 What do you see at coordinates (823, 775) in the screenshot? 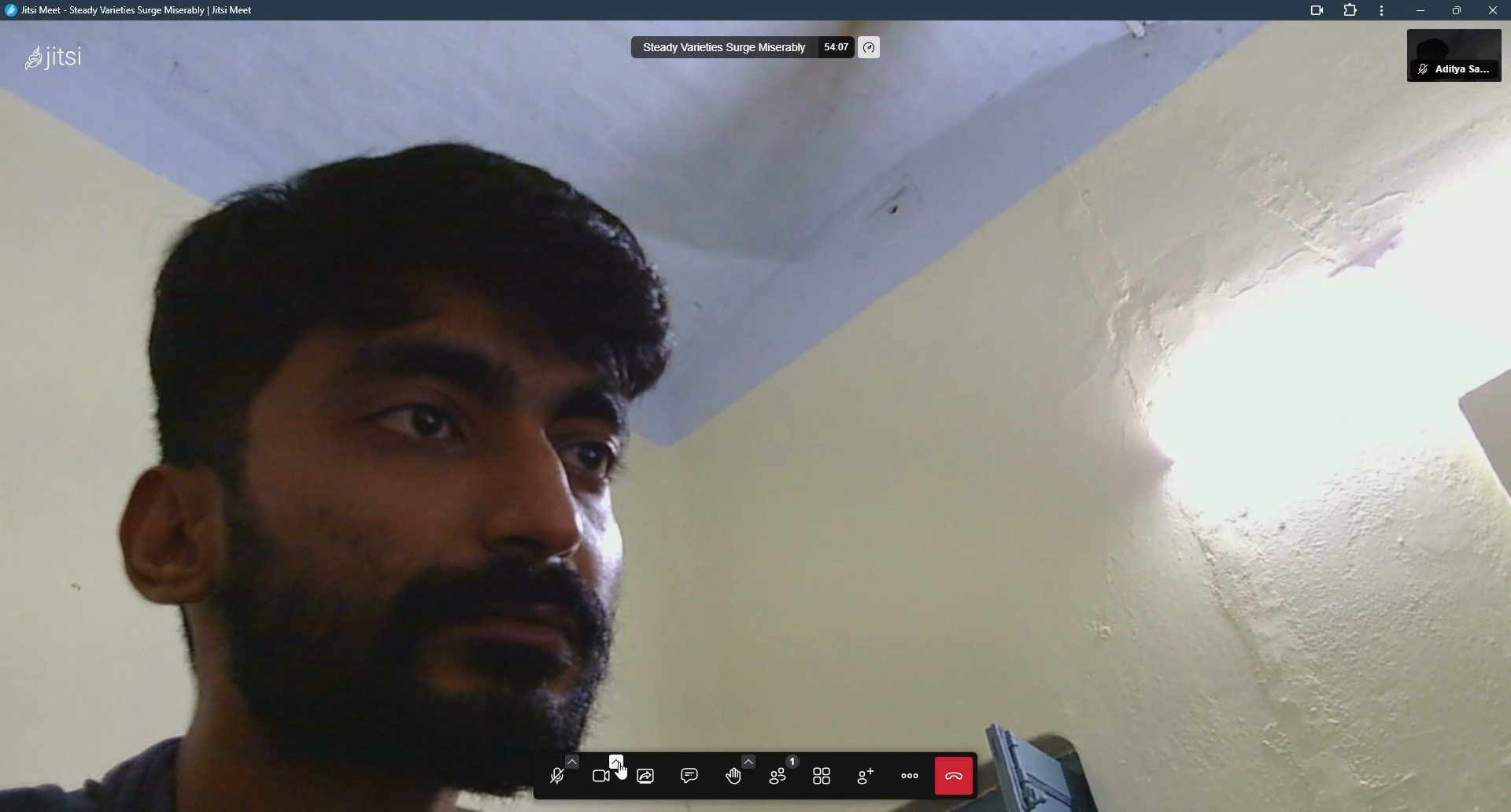
I see `toggle tile view` at bounding box center [823, 775].